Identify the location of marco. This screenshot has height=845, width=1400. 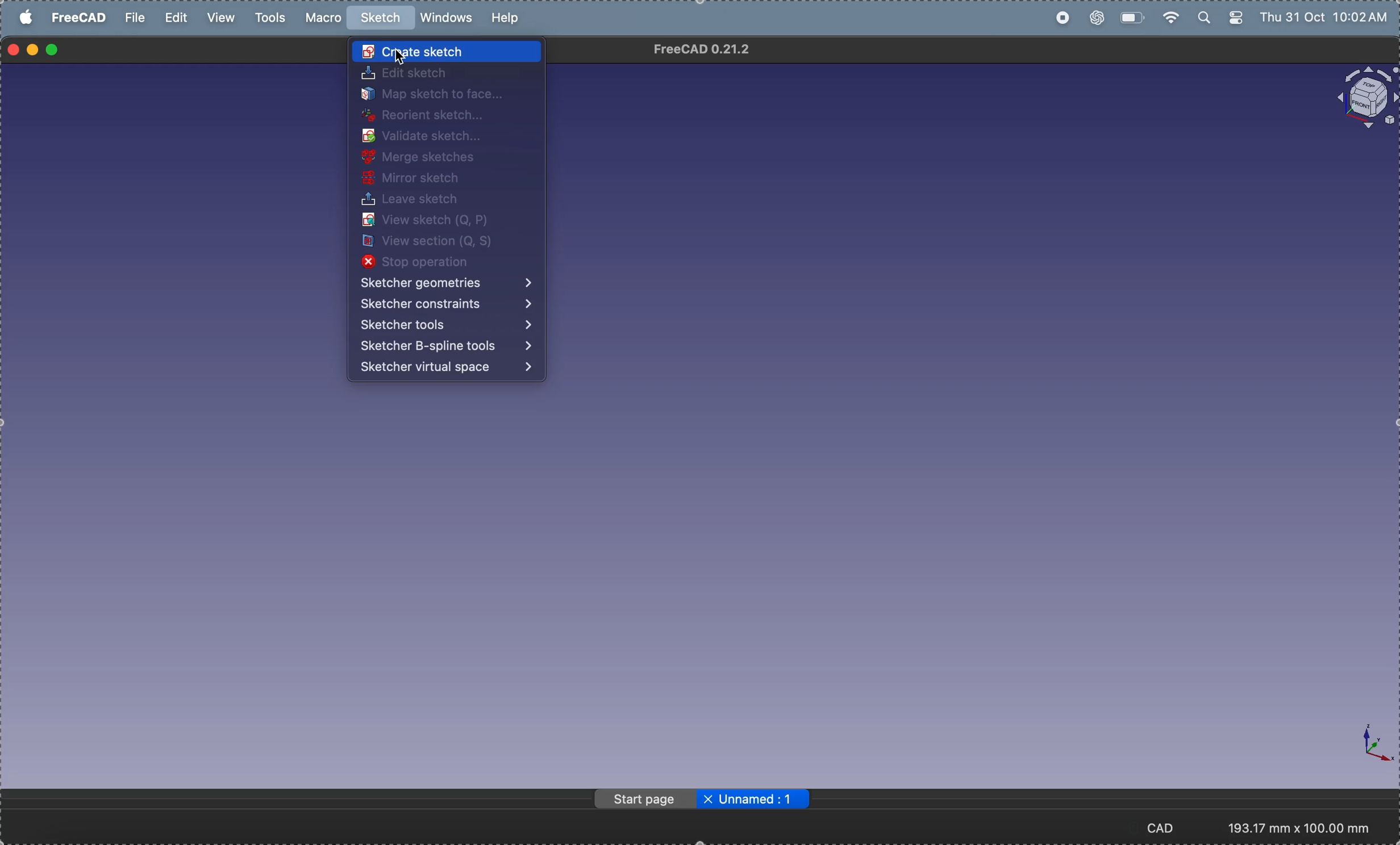
(327, 18).